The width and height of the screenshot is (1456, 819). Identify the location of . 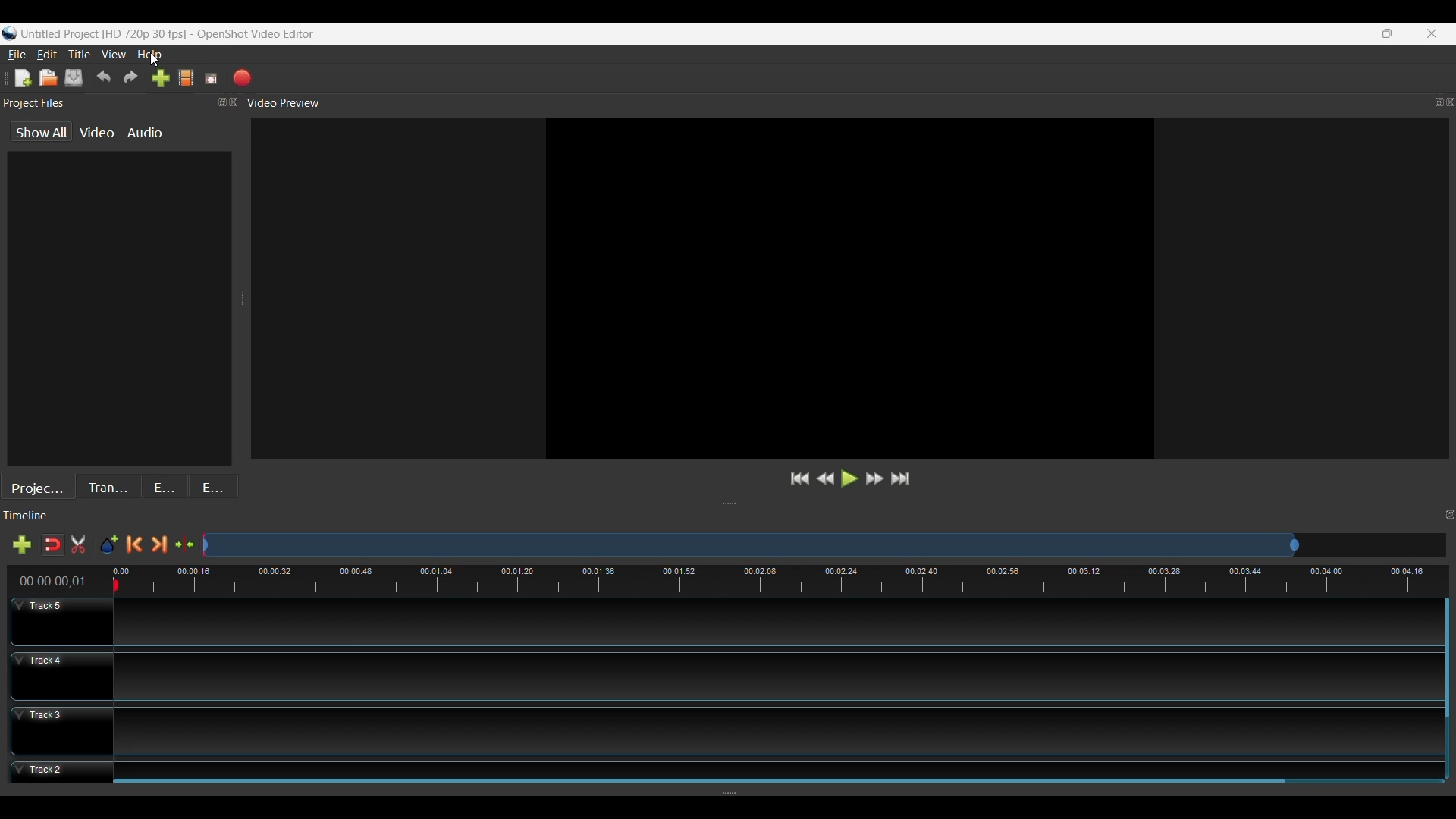
(773, 624).